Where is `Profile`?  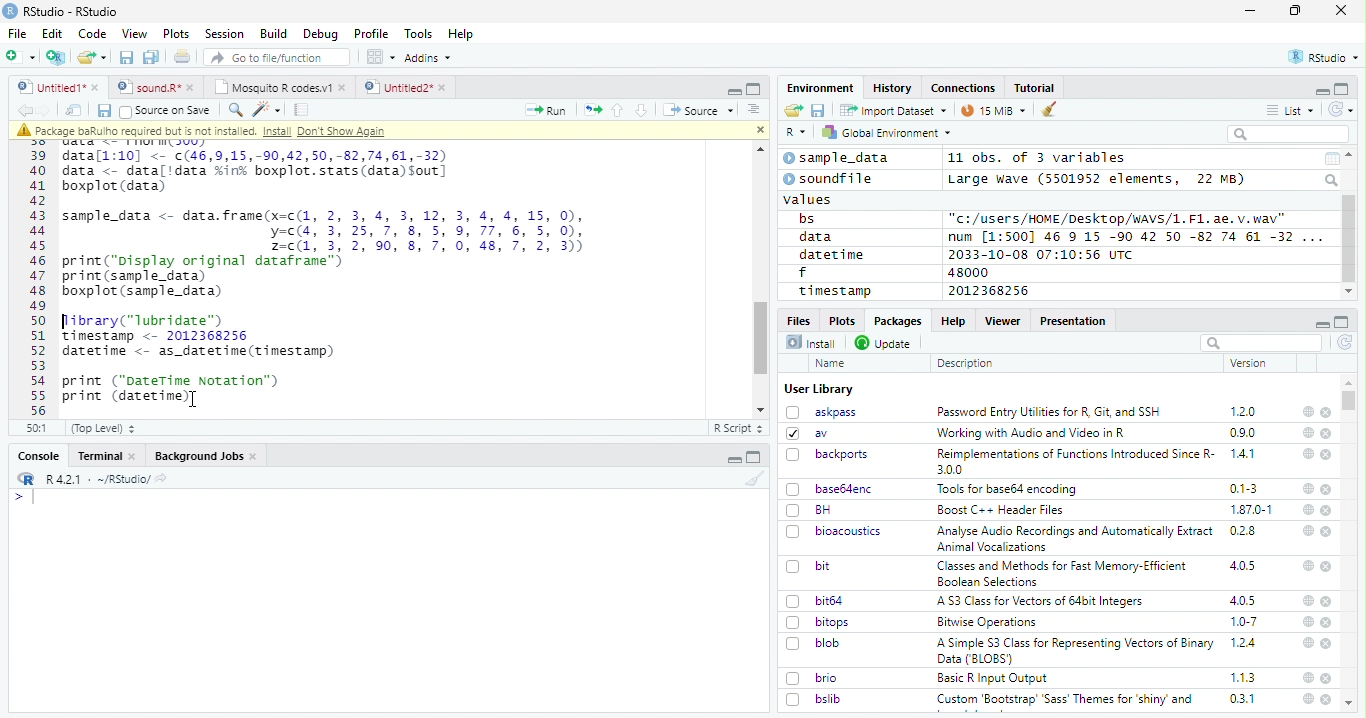 Profile is located at coordinates (371, 34).